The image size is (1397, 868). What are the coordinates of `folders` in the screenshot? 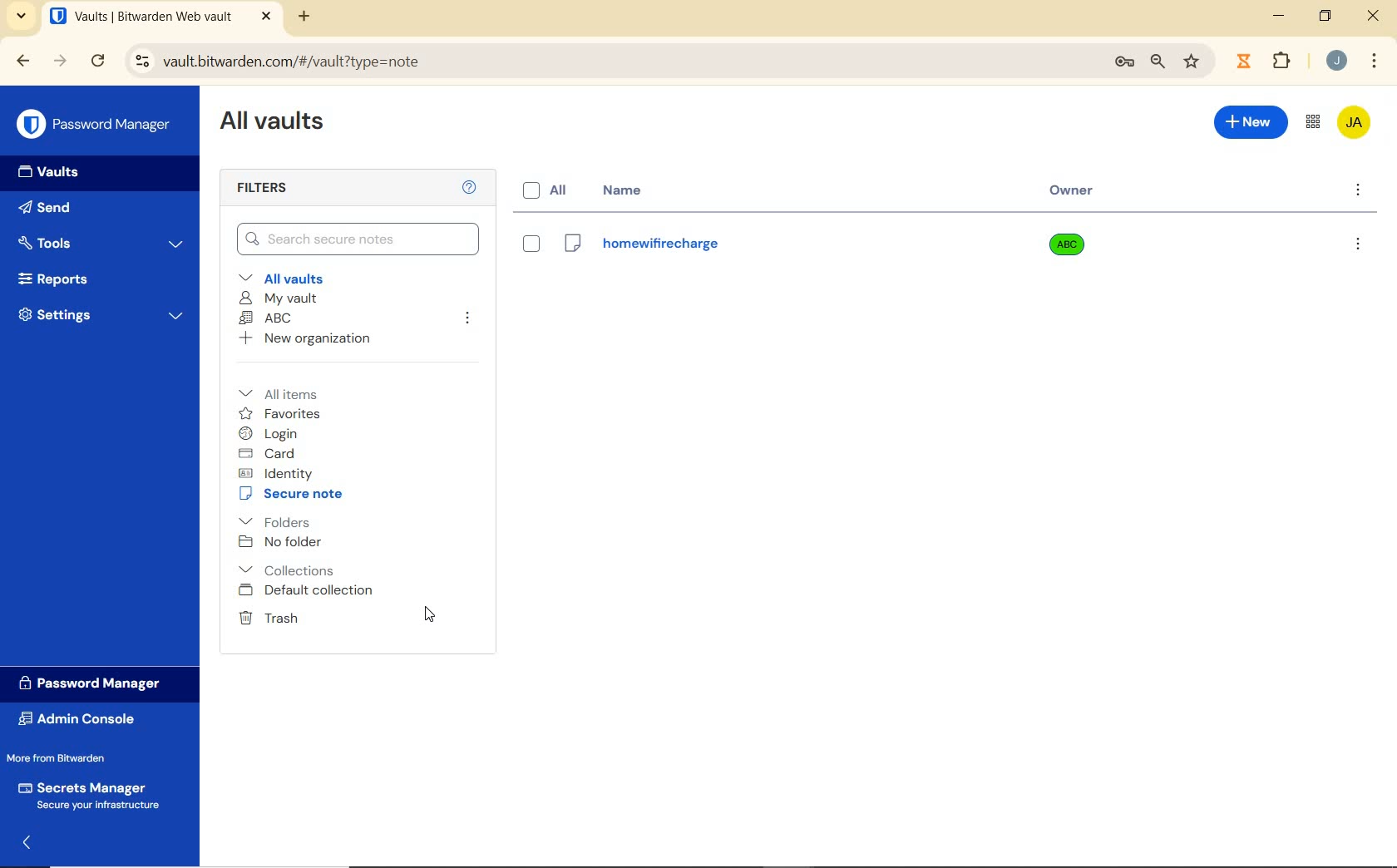 It's located at (274, 520).